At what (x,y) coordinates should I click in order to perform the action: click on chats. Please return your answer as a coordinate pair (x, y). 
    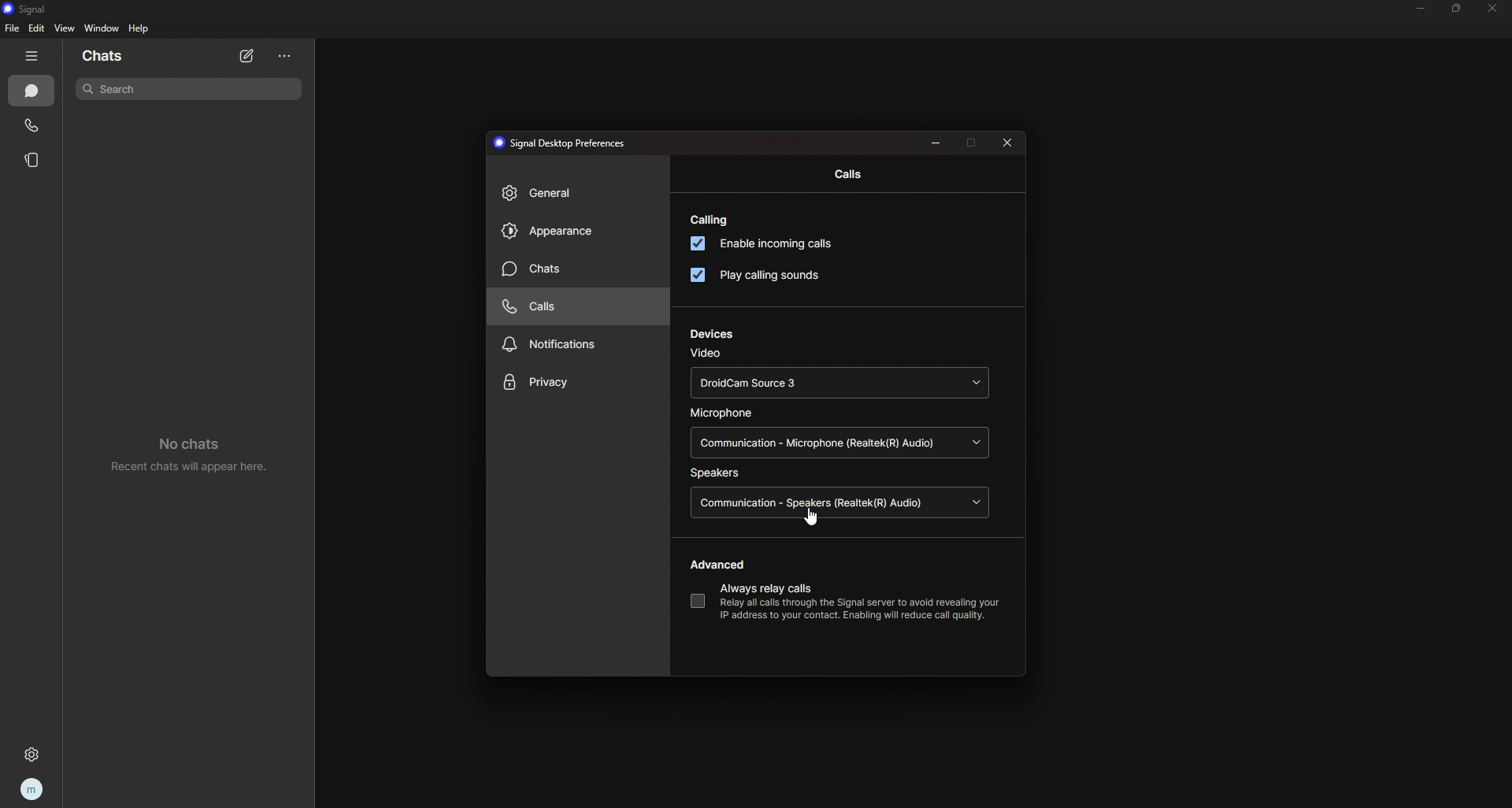
    Looking at the image, I should click on (32, 91).